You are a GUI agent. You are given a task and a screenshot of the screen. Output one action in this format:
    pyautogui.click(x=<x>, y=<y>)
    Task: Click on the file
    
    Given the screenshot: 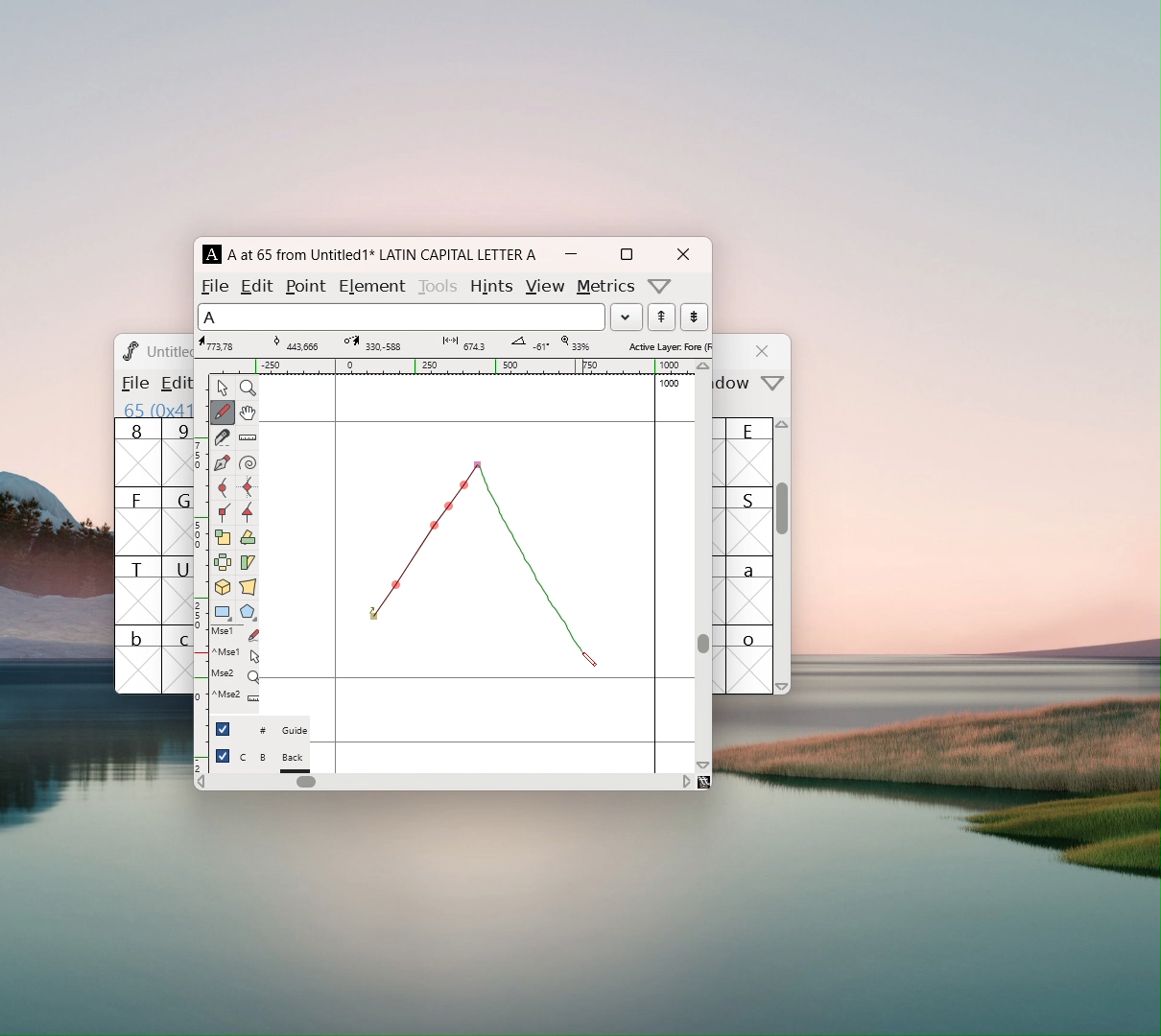 What is the action you would take?
    pyautogui.click(x=215, y=286)
    